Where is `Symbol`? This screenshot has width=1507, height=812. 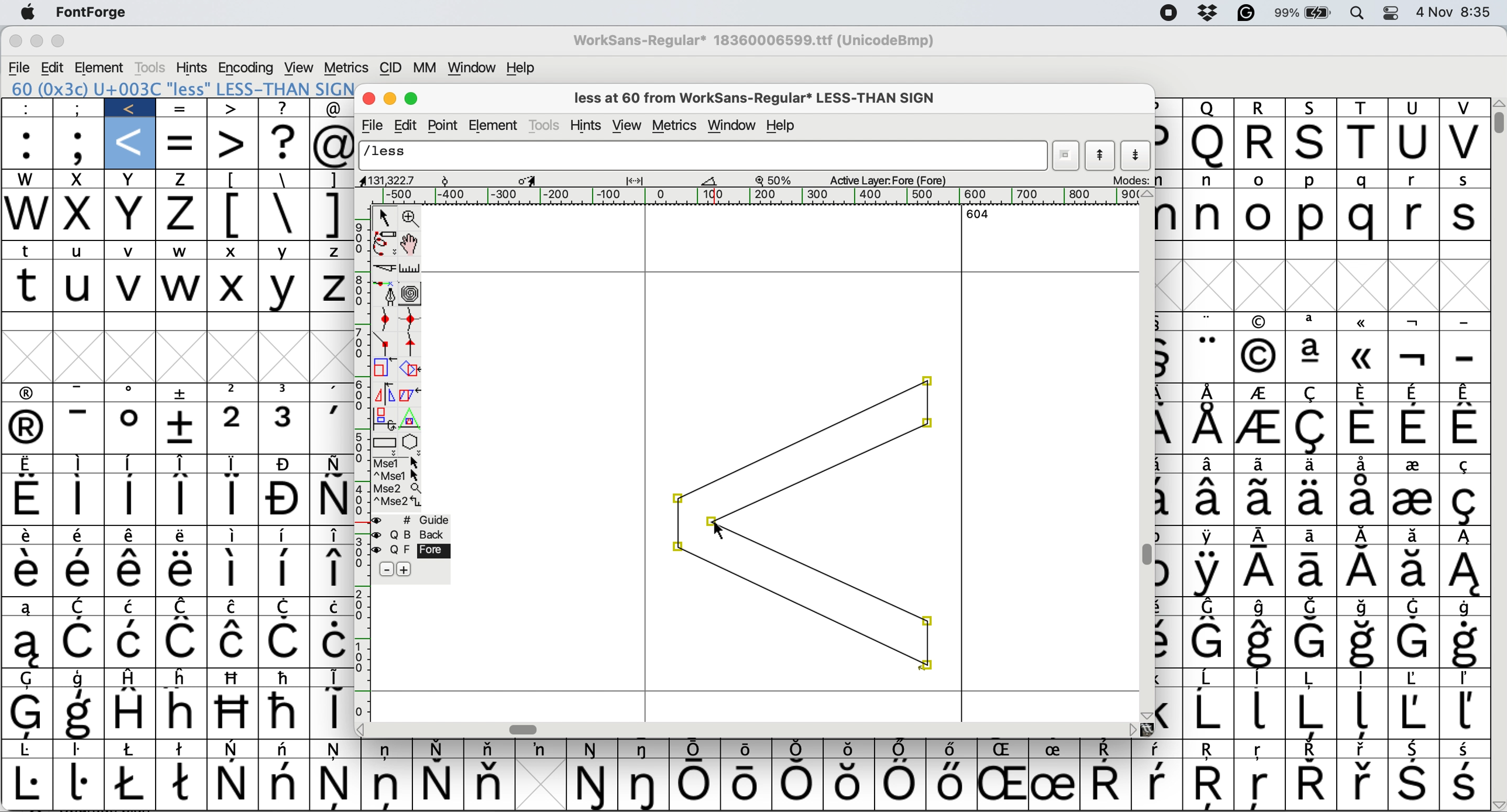
Symbol is located at coordinates (1361, 500).